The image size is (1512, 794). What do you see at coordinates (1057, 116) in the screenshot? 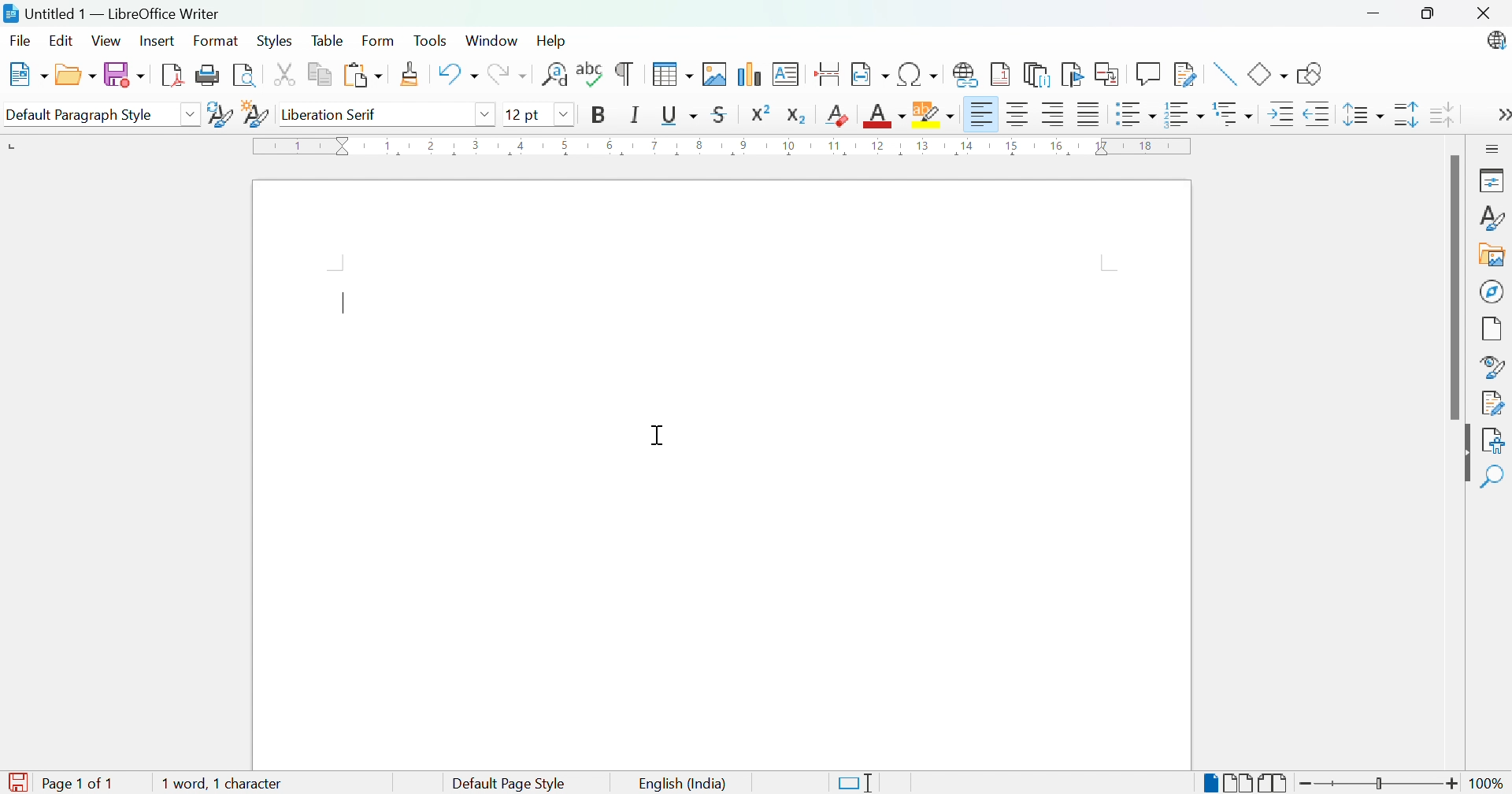
I see `Align right` at bounding box center [1057, 116].